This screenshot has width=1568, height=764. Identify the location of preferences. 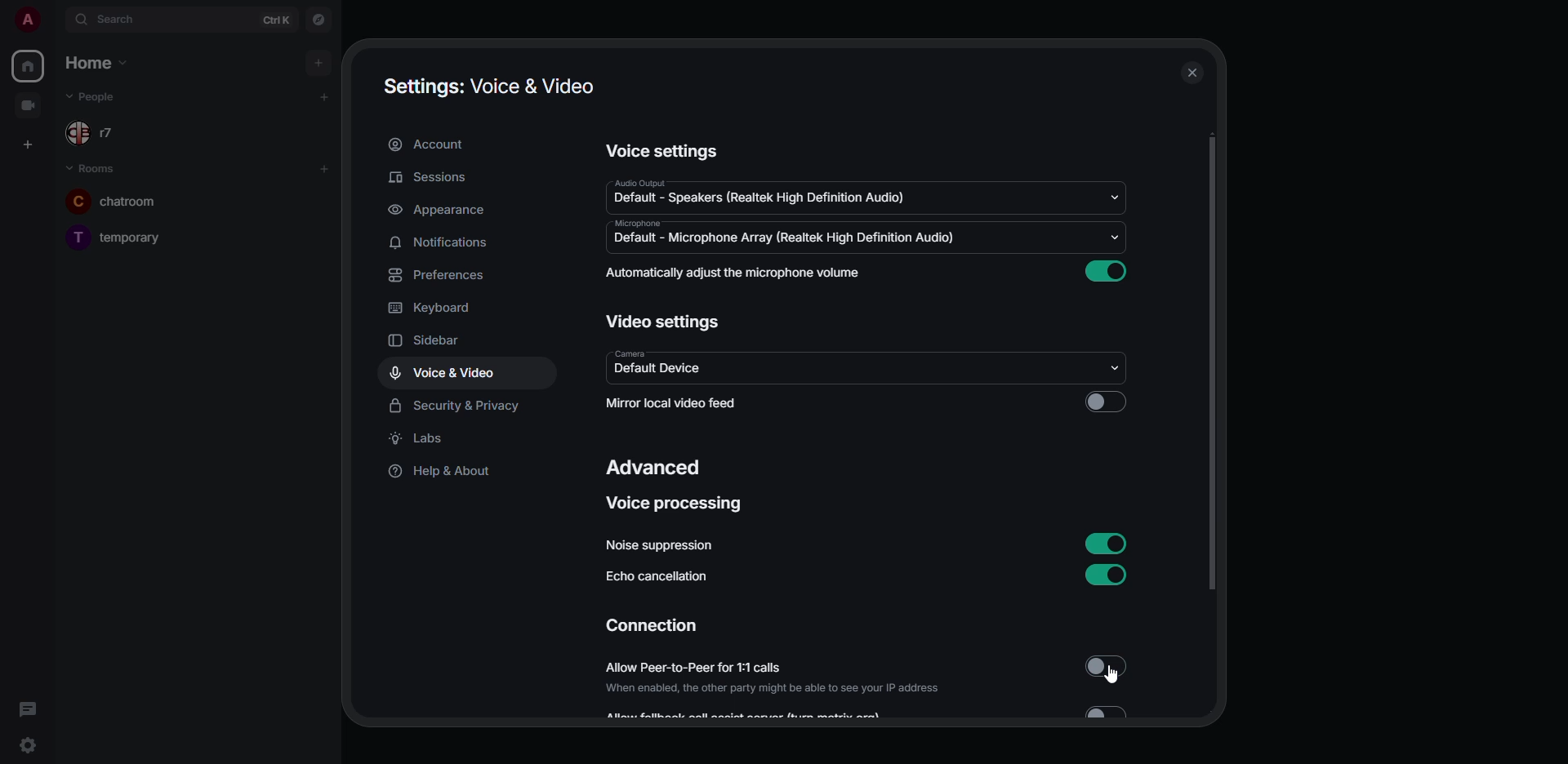
(436, 277).